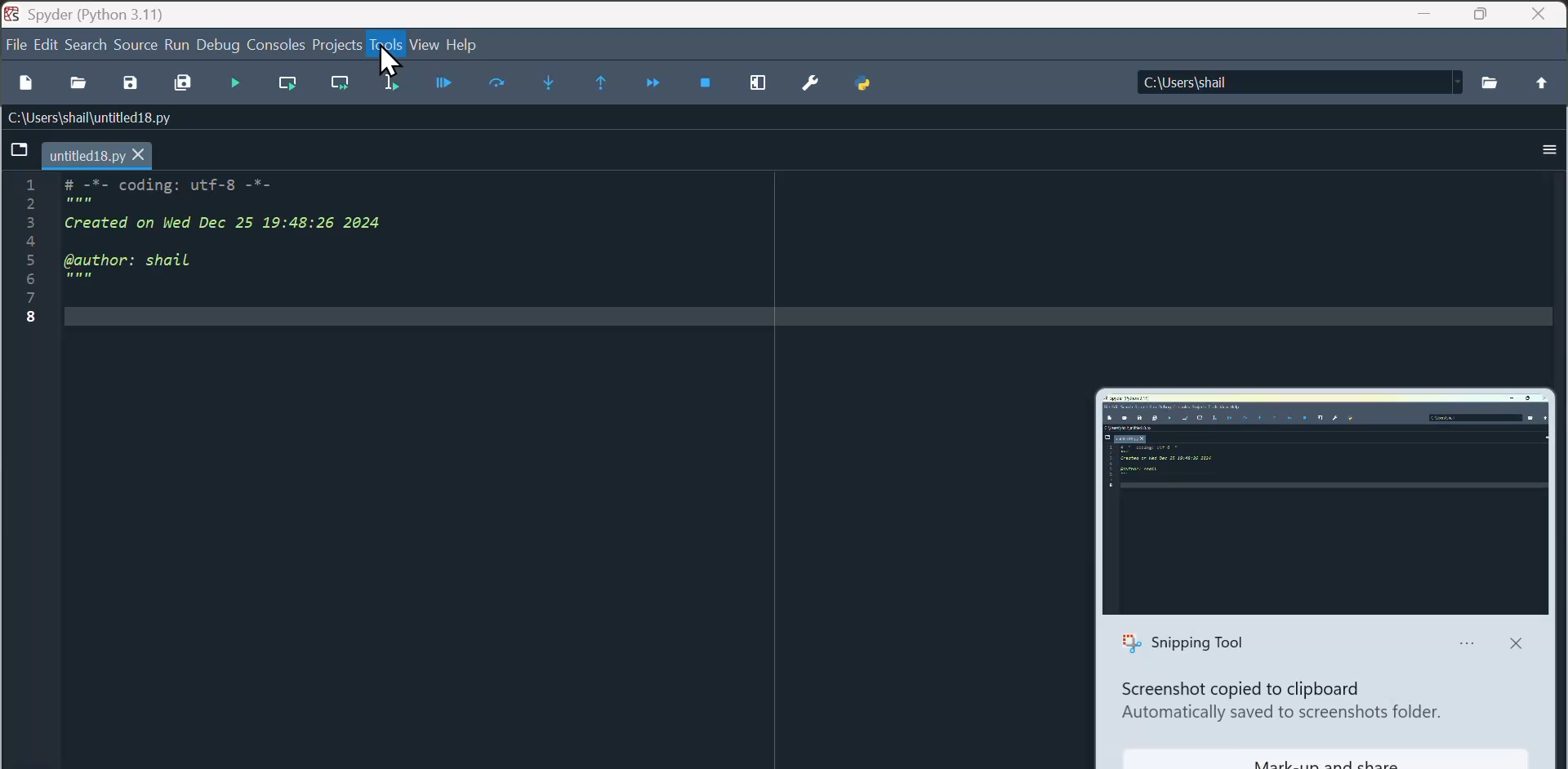  Describe the element at coordinates (292, 88) in the screenshot. I see `run current sale` at that location.